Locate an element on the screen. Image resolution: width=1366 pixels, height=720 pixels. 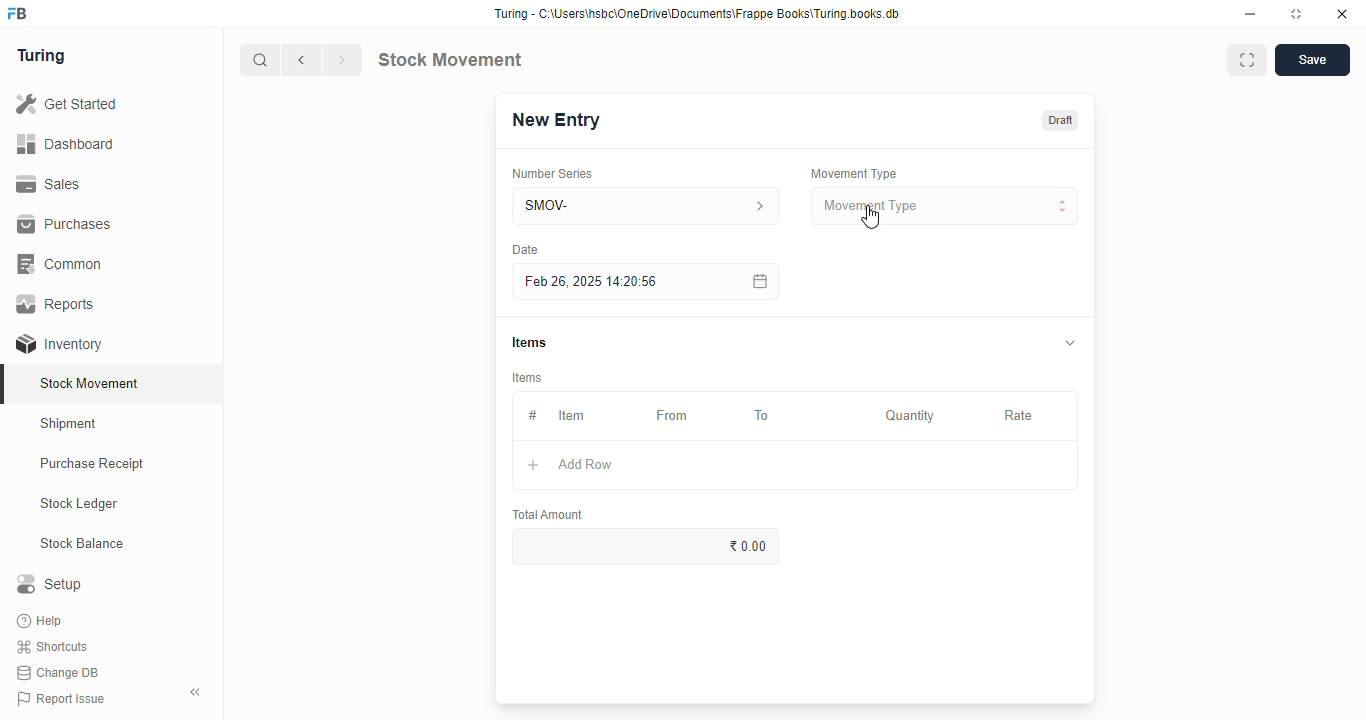
close is located at coordinates (1342, 14).